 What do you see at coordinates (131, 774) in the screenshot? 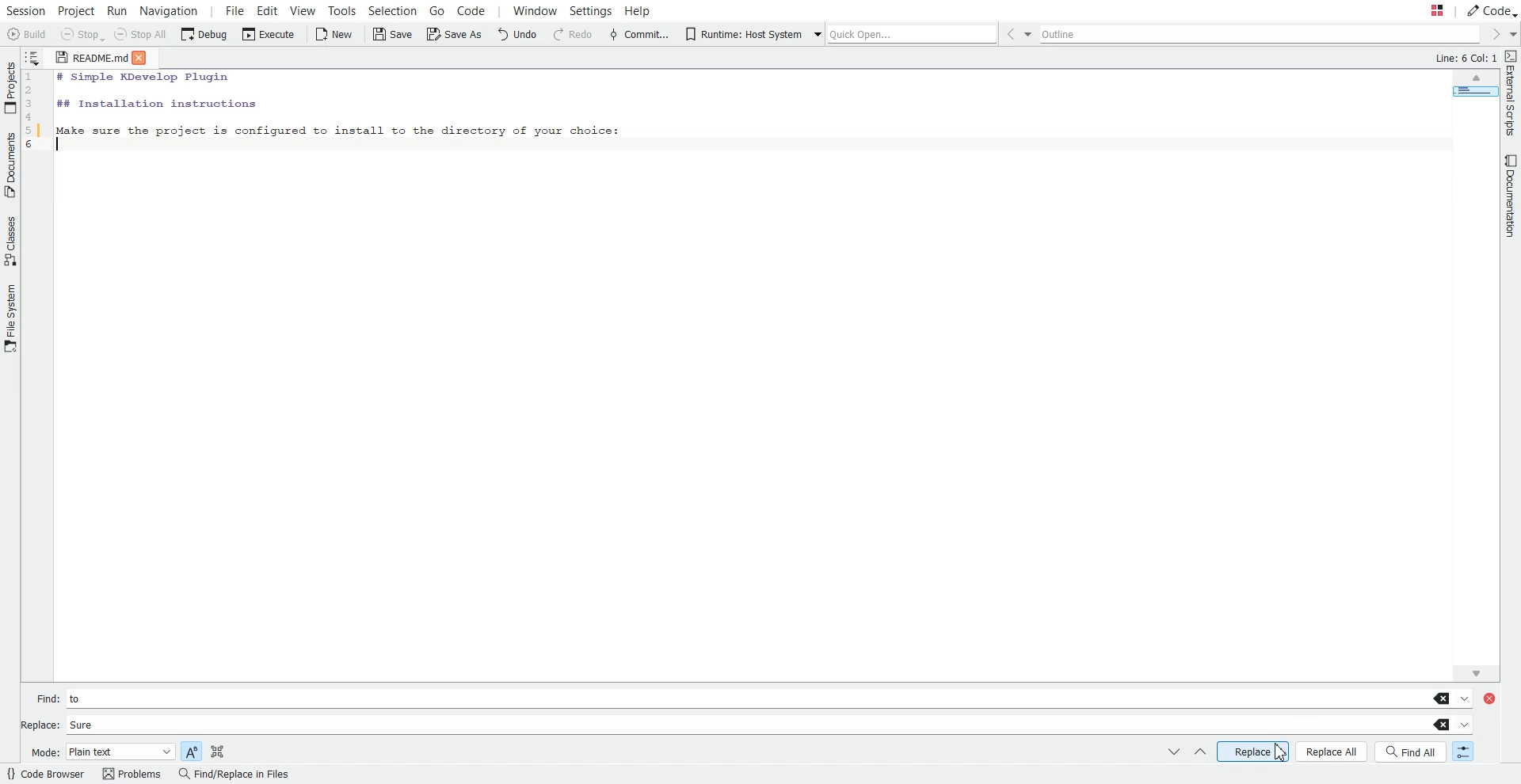
I see `Problems` at bounding box center [131, 774].